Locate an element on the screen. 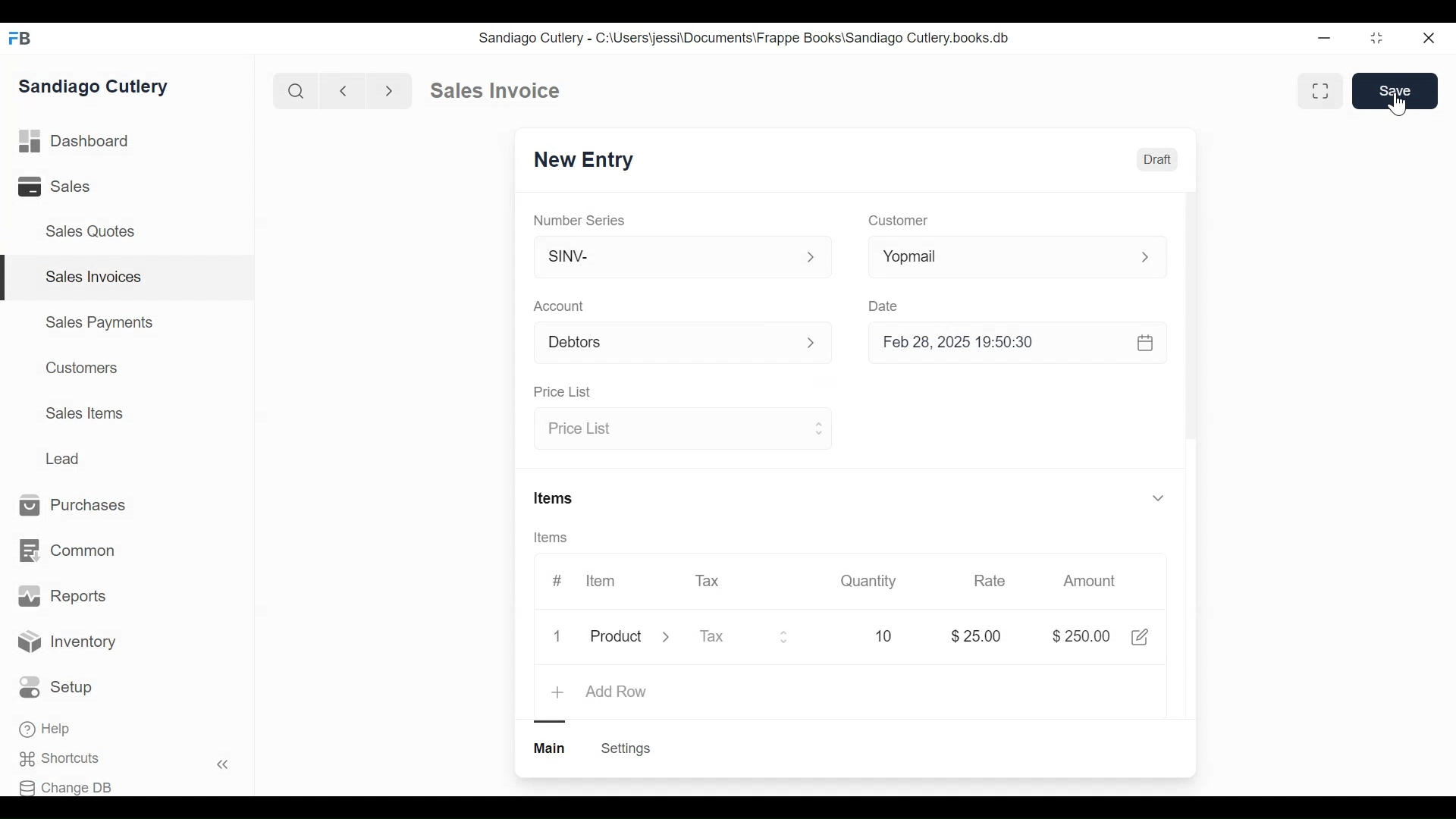 This screenshot has height=819, width=1456. Sales is located at coordinates (57, 186).